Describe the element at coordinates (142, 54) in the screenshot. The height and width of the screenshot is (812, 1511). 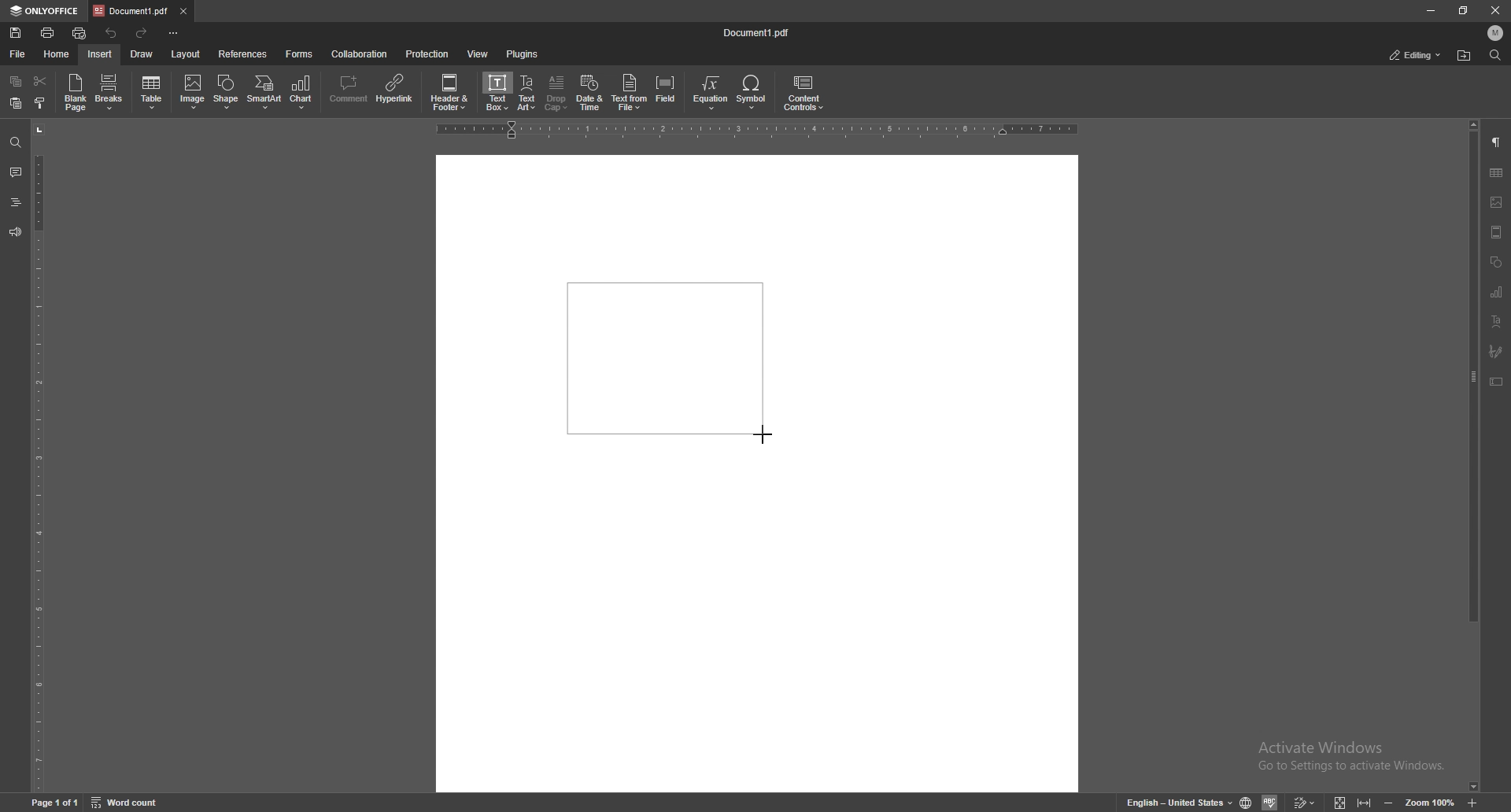
I see `draw` at that location.